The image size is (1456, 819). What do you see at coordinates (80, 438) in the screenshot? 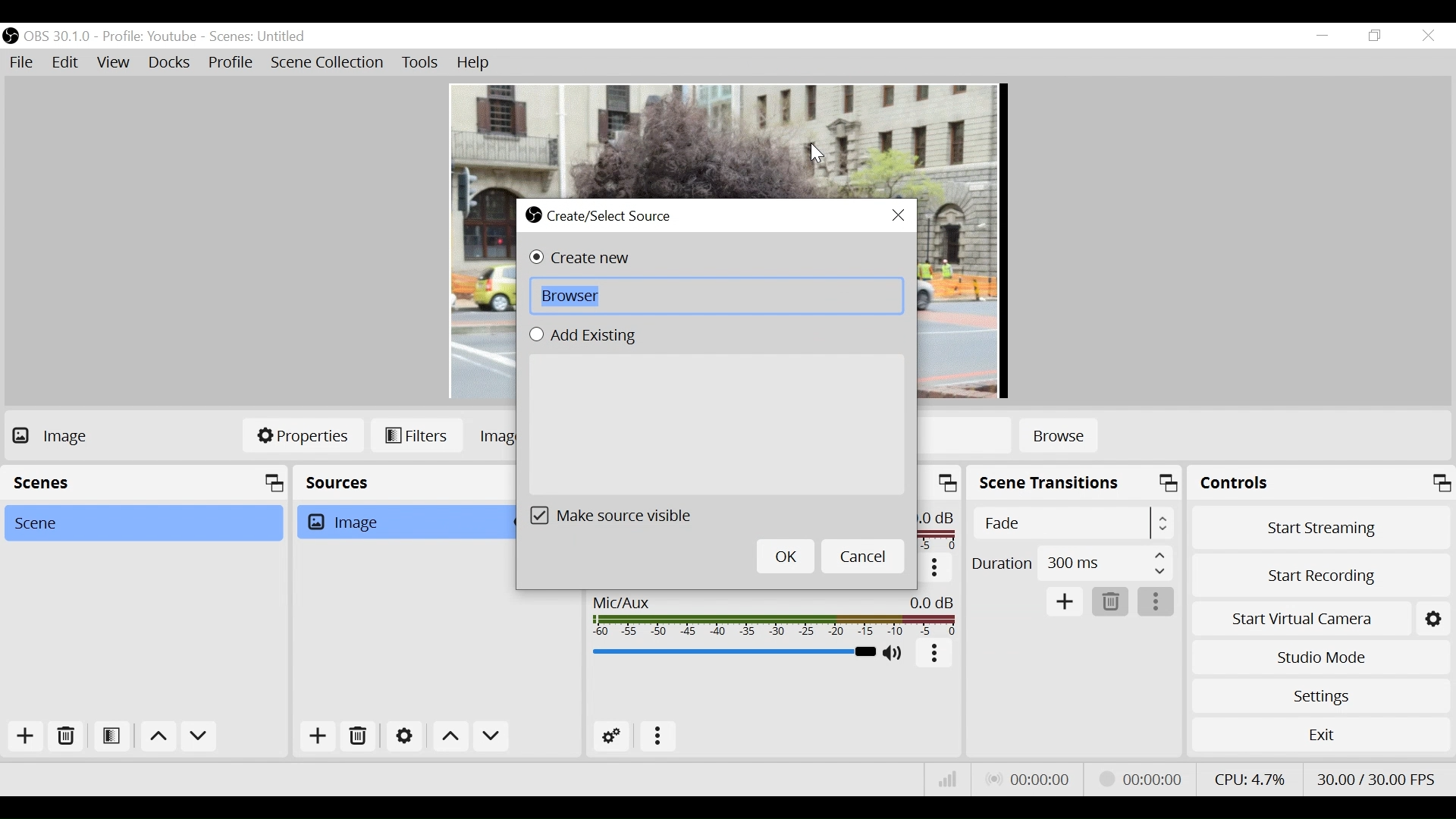
I see `No source Selected` at bounding box center [80, 438].